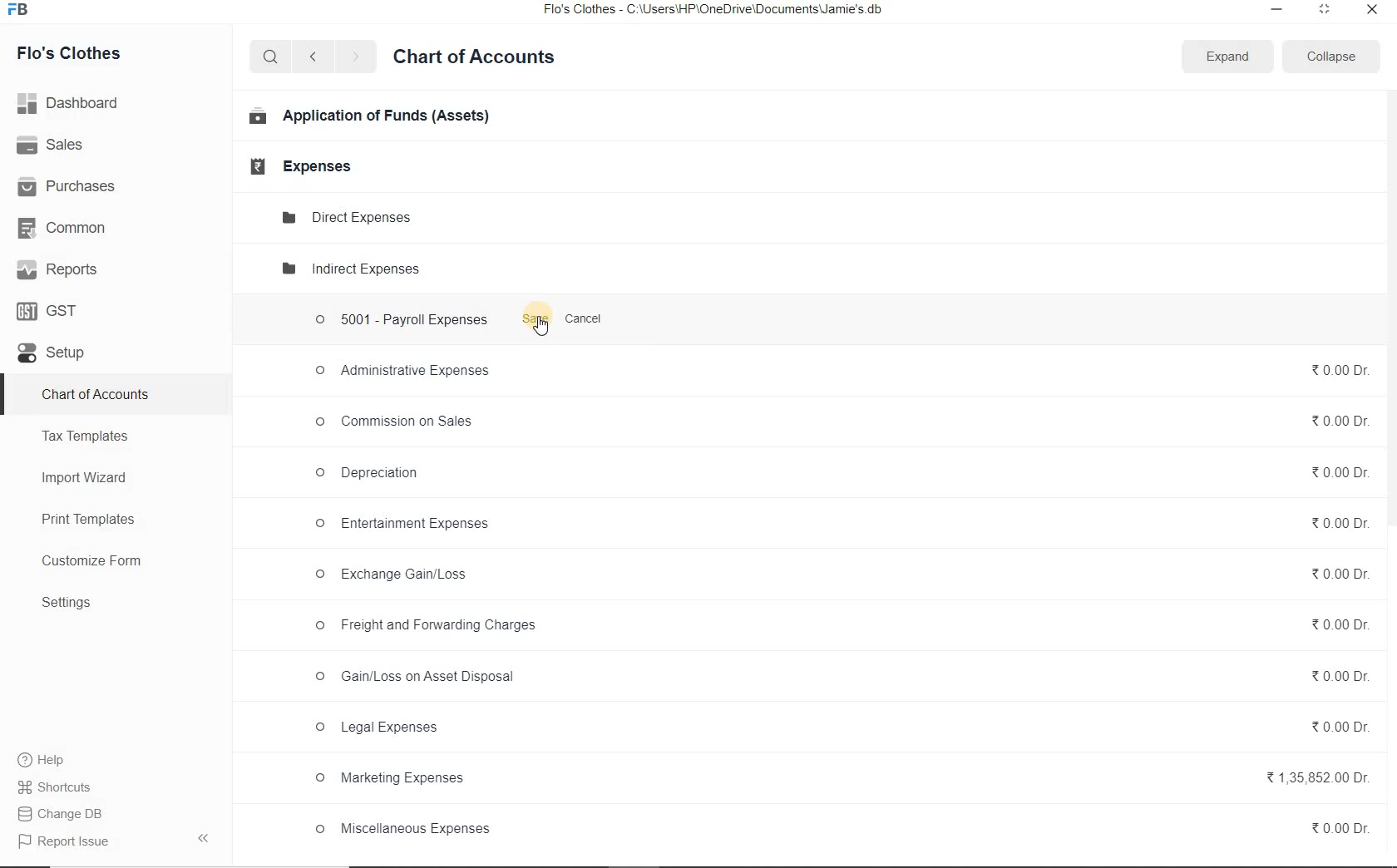  What do you see at coordinates (344, 216) in the screenshot?
I see `Direct Expense` at bounding box center [344, 216].